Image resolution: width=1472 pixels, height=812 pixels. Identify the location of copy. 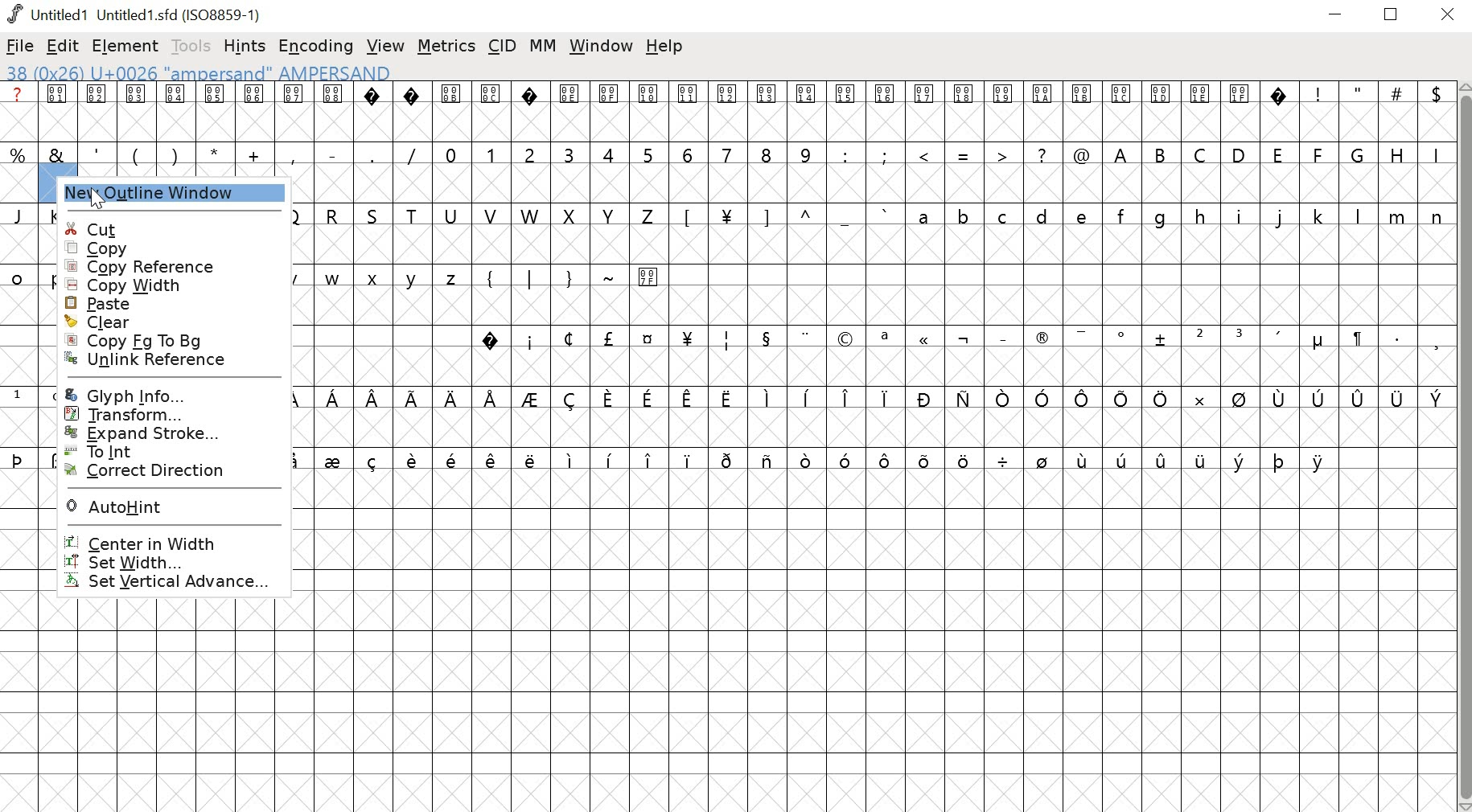
(165, 248).